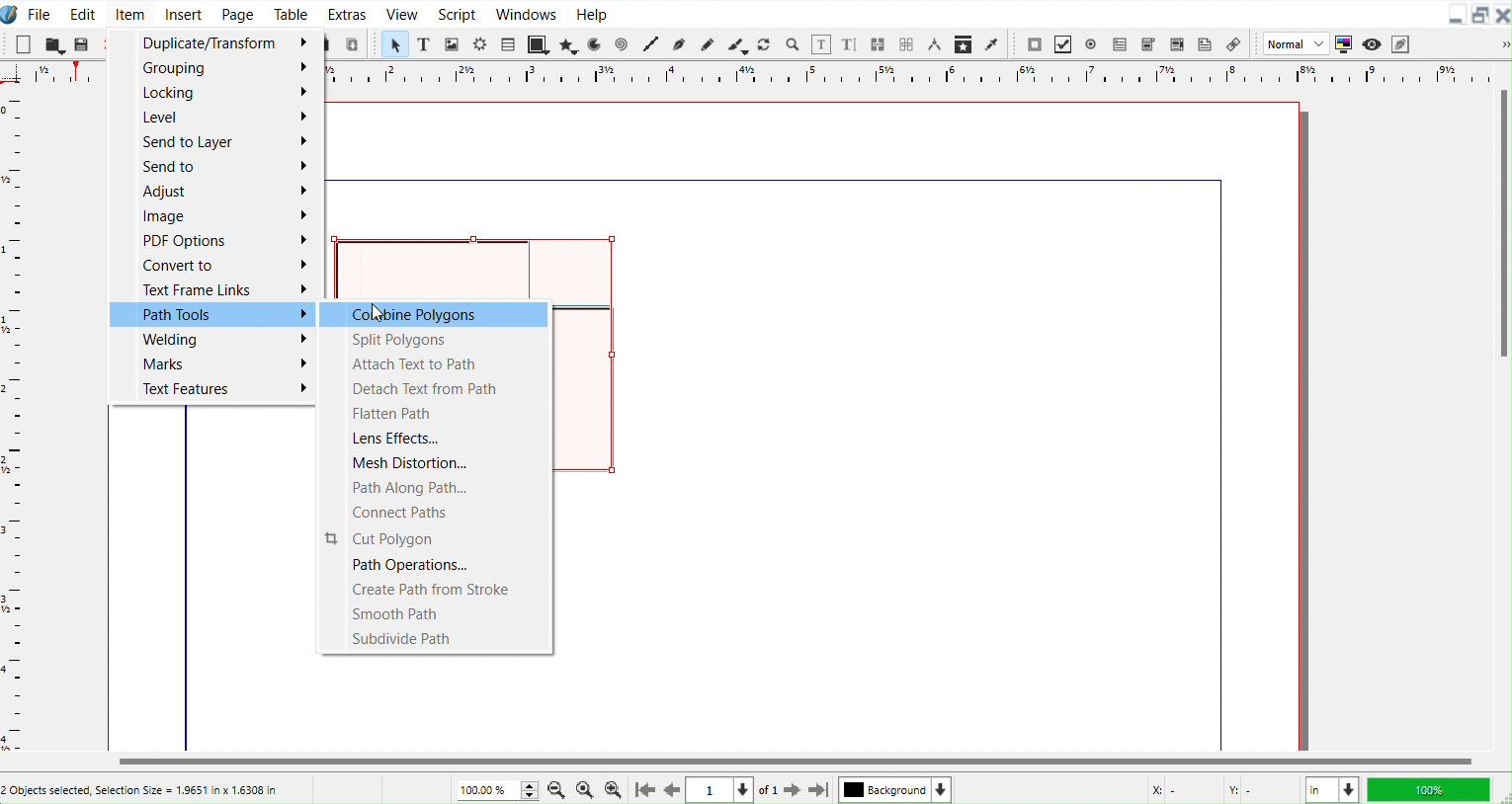 The image size is (1512, 804). I want to click on Path Tools, so click(211, 314).